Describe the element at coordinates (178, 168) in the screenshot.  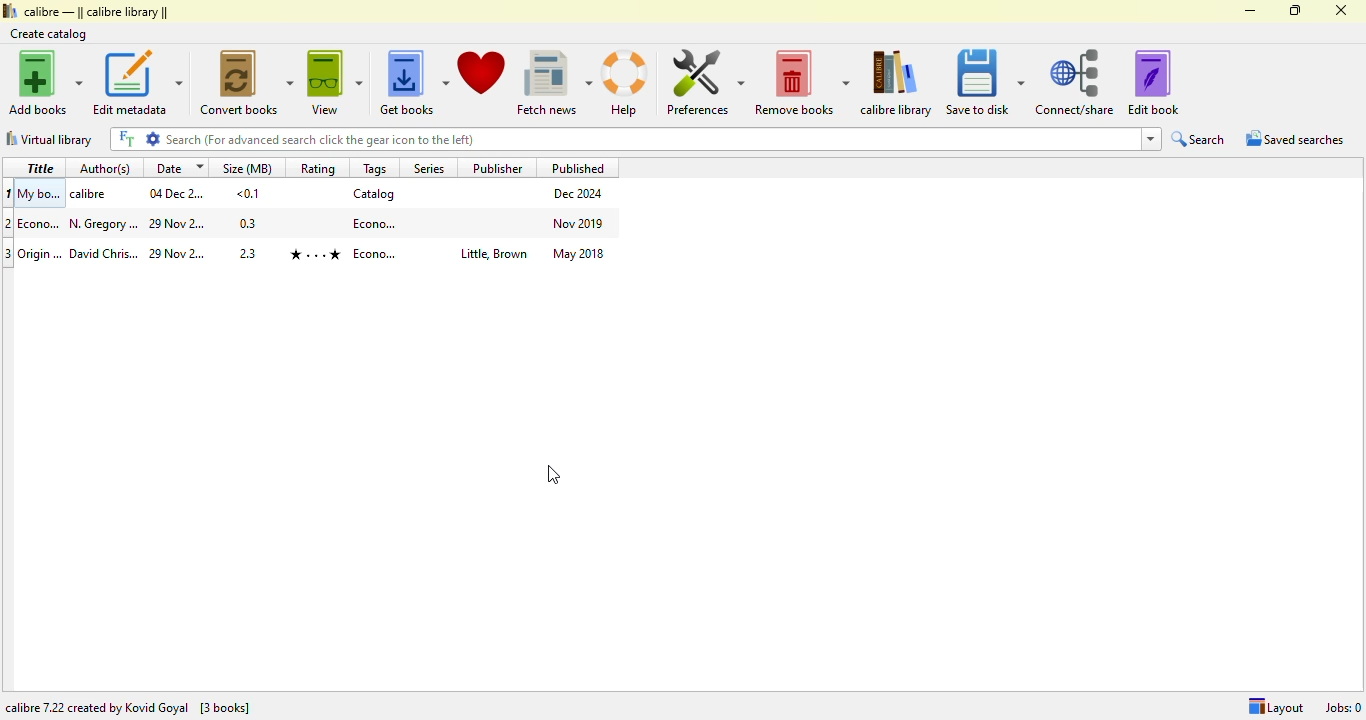
I see `date` at that location.